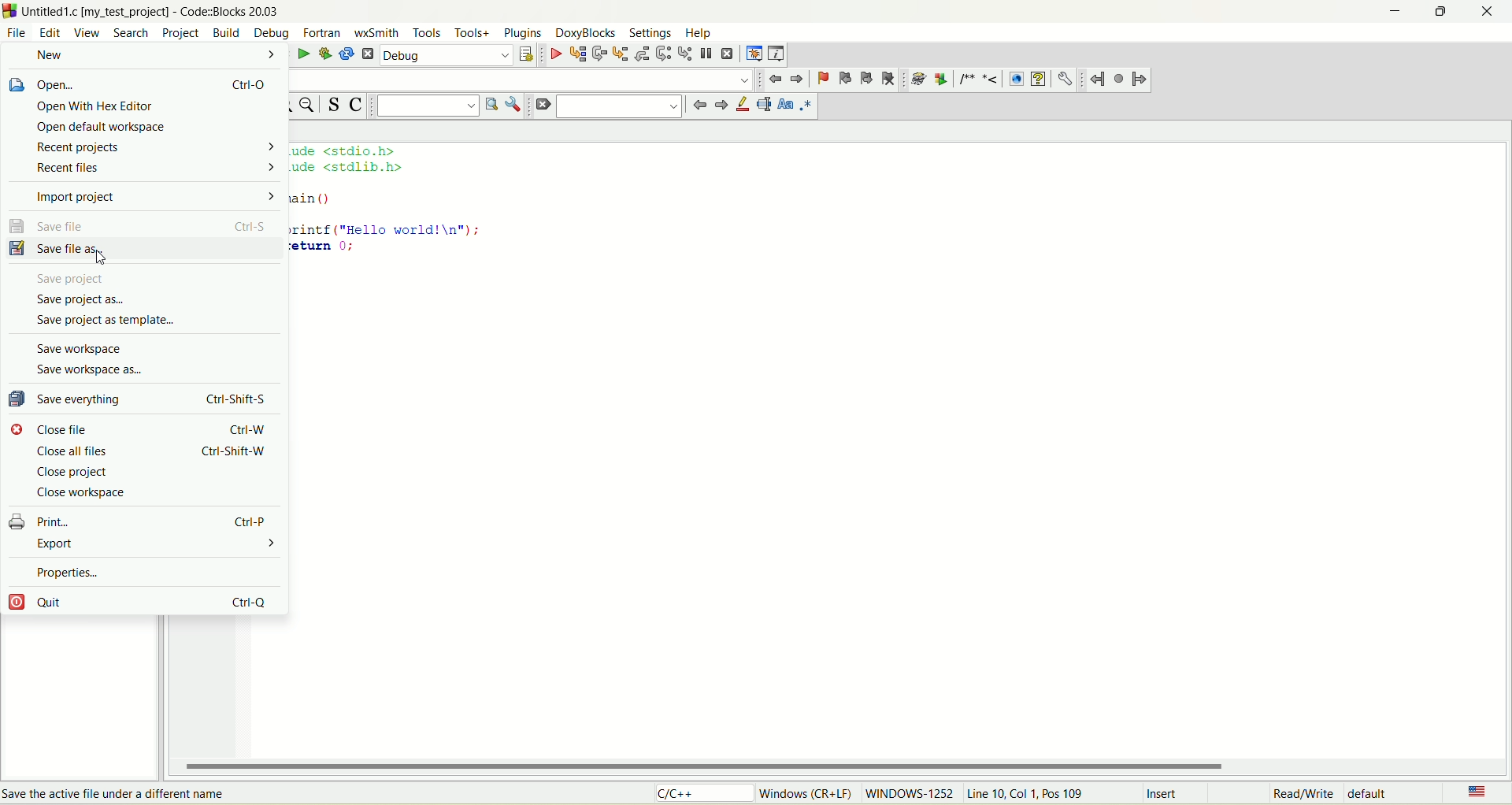 This screenshot has width=1512, height=805. Describe the element at coordinates (52, 33) in the screenshot. I see `edit` at that location.